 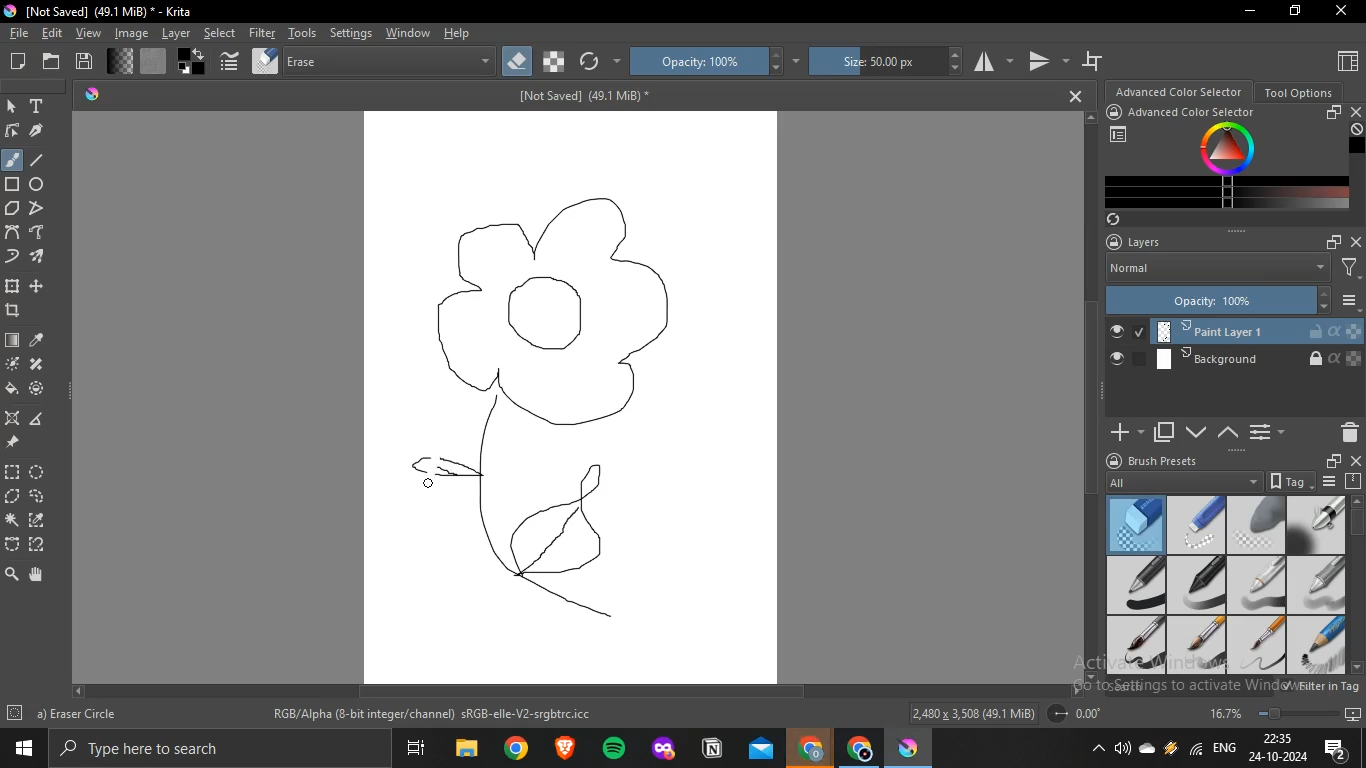 What do you see at coordinates (578, 694) in the screenshot?
I see `Scrollbar` at bounding box center [578, 694].